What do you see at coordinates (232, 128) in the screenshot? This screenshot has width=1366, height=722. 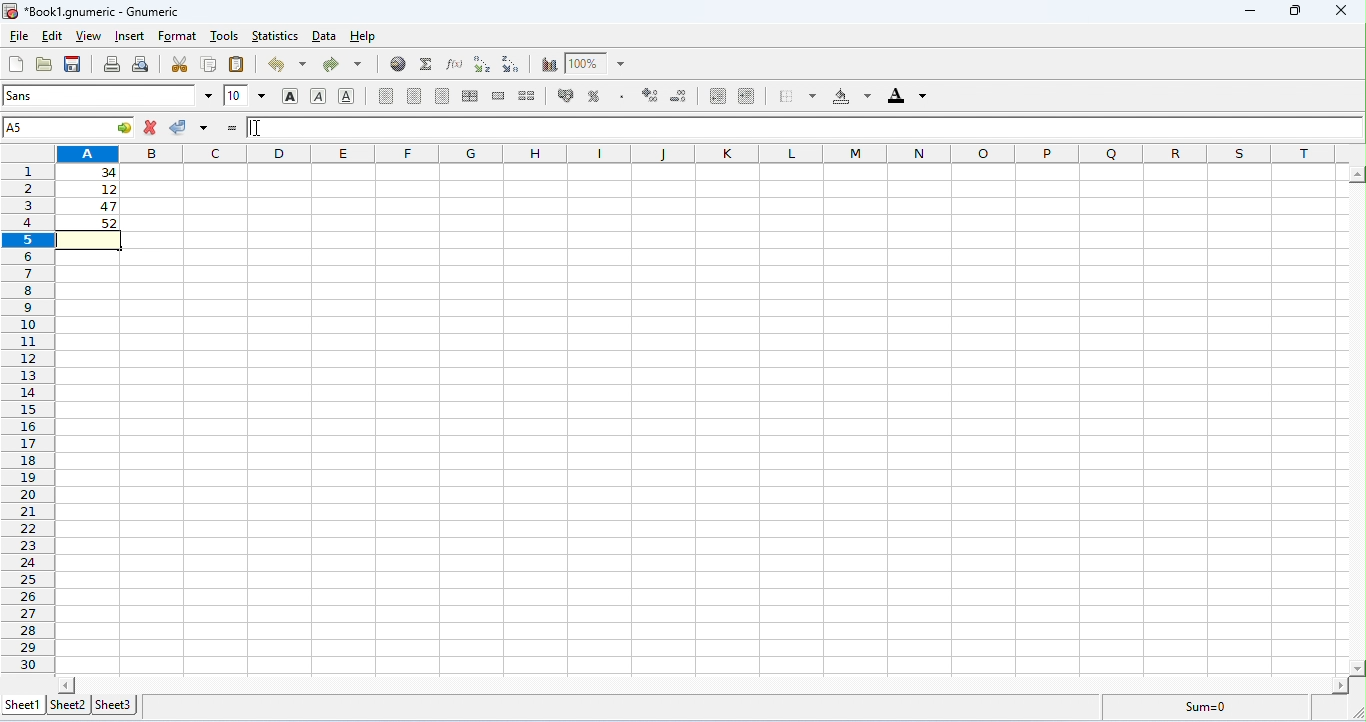 I see `=` at bounding box center [232, 128].